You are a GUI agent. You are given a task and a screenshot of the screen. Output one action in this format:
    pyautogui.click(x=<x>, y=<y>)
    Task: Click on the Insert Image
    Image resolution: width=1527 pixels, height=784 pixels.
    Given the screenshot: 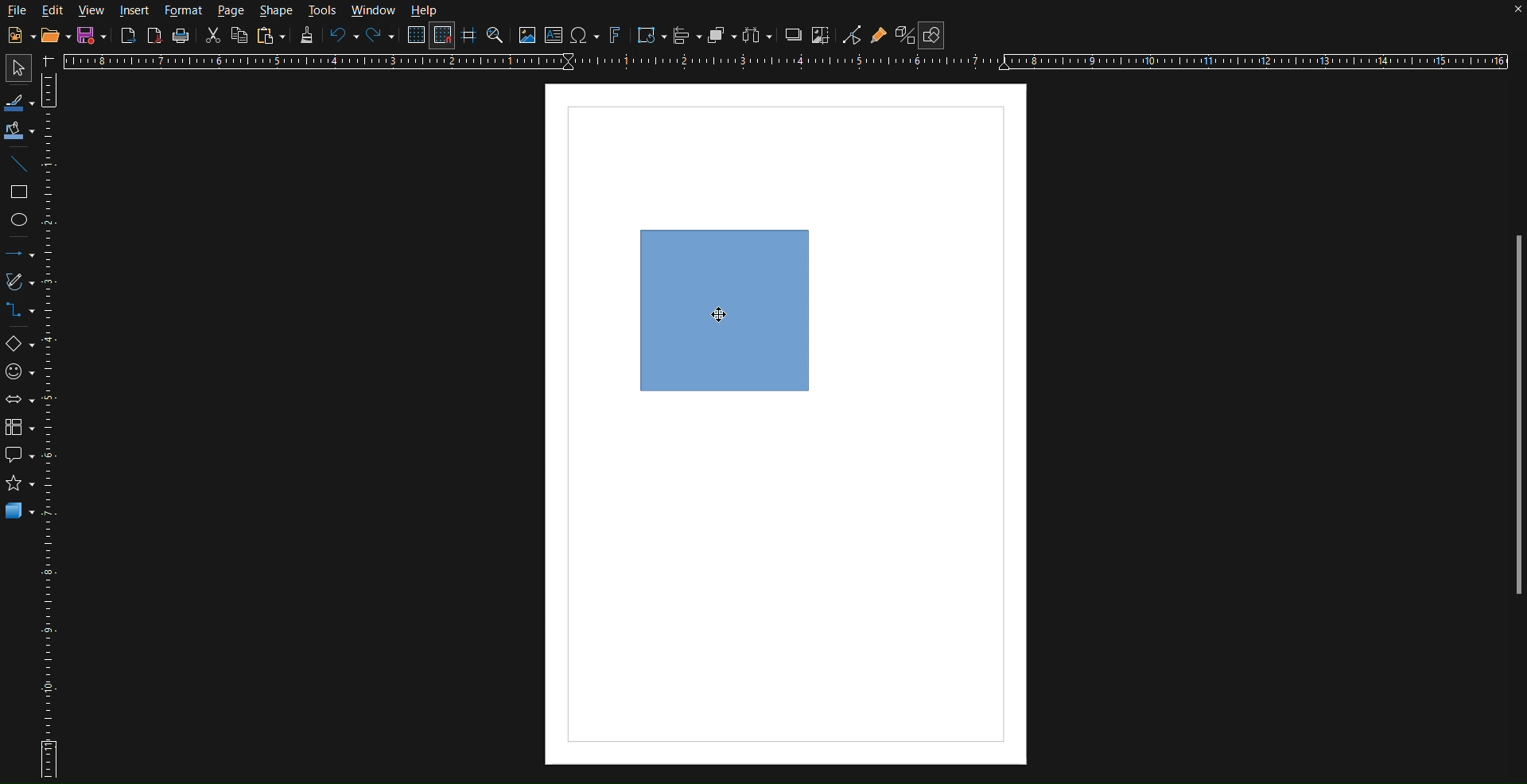 What is the action you would take?
    pyautogui.click(x=527, y=37)
    